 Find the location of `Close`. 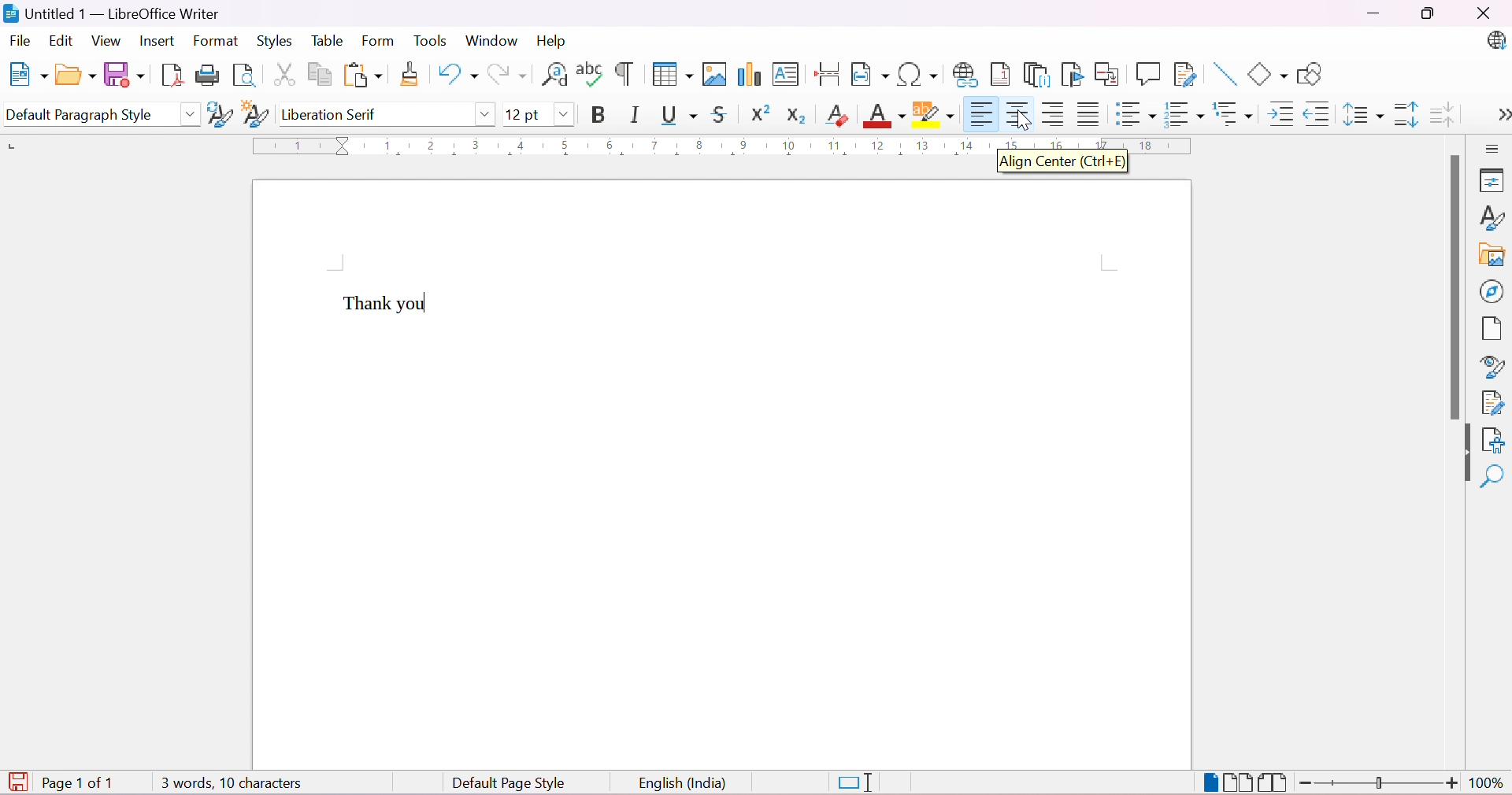

Close is located at coordinates (1489, 15).